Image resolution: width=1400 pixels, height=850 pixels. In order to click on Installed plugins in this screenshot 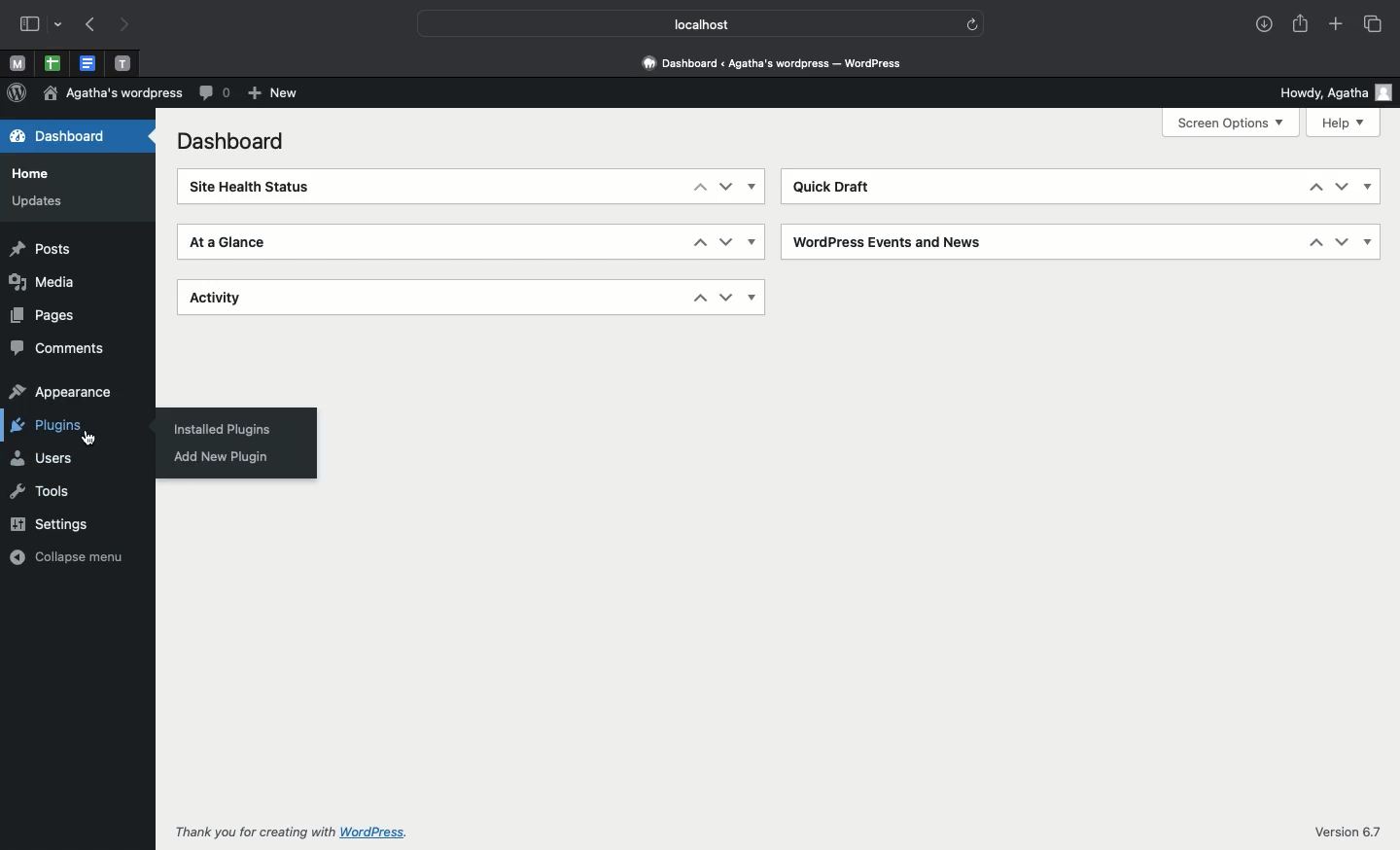, I will do `click(226, 430)`.